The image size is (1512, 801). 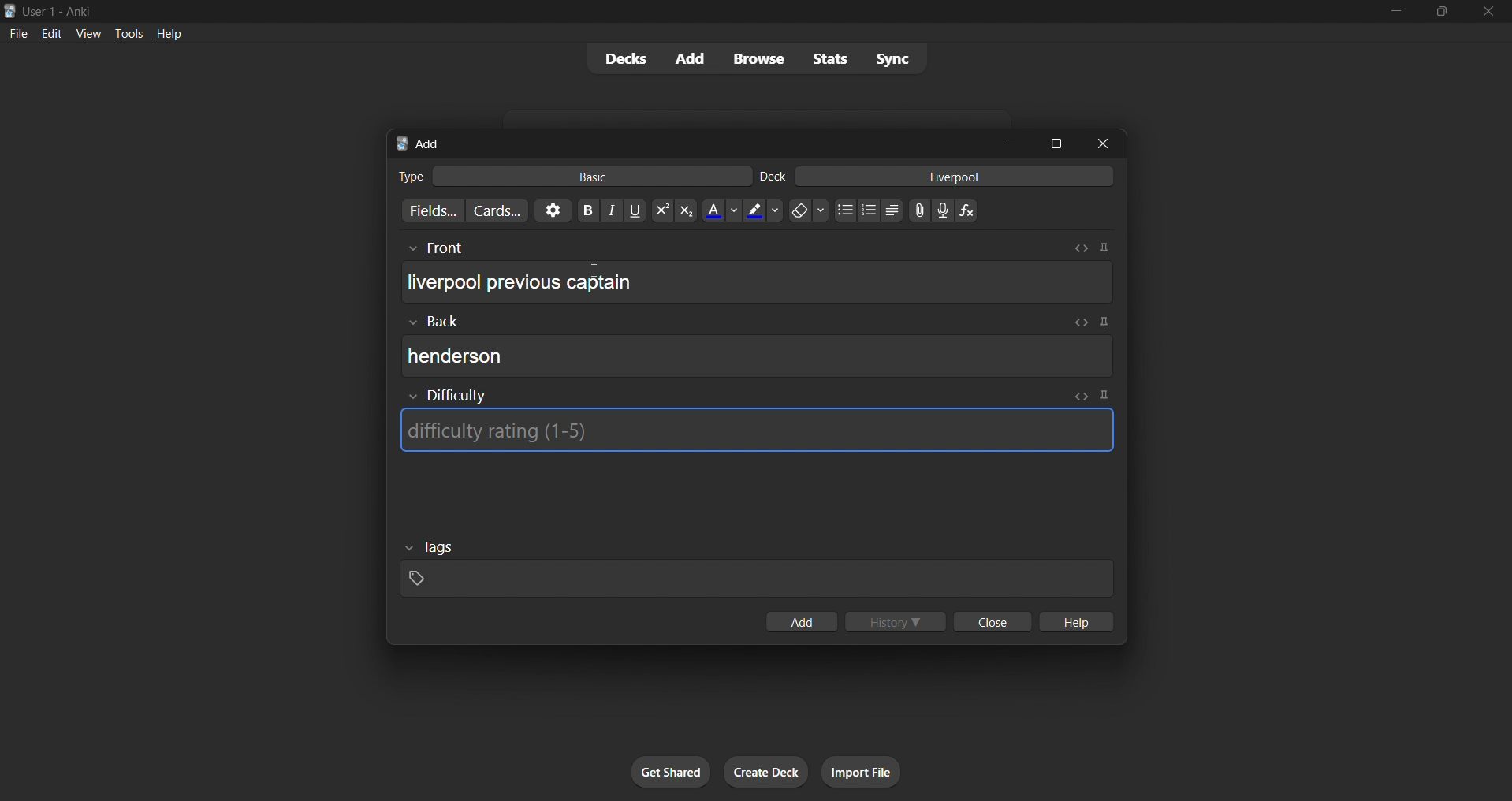 I want to click on microphone, so click(x=944, y=211).